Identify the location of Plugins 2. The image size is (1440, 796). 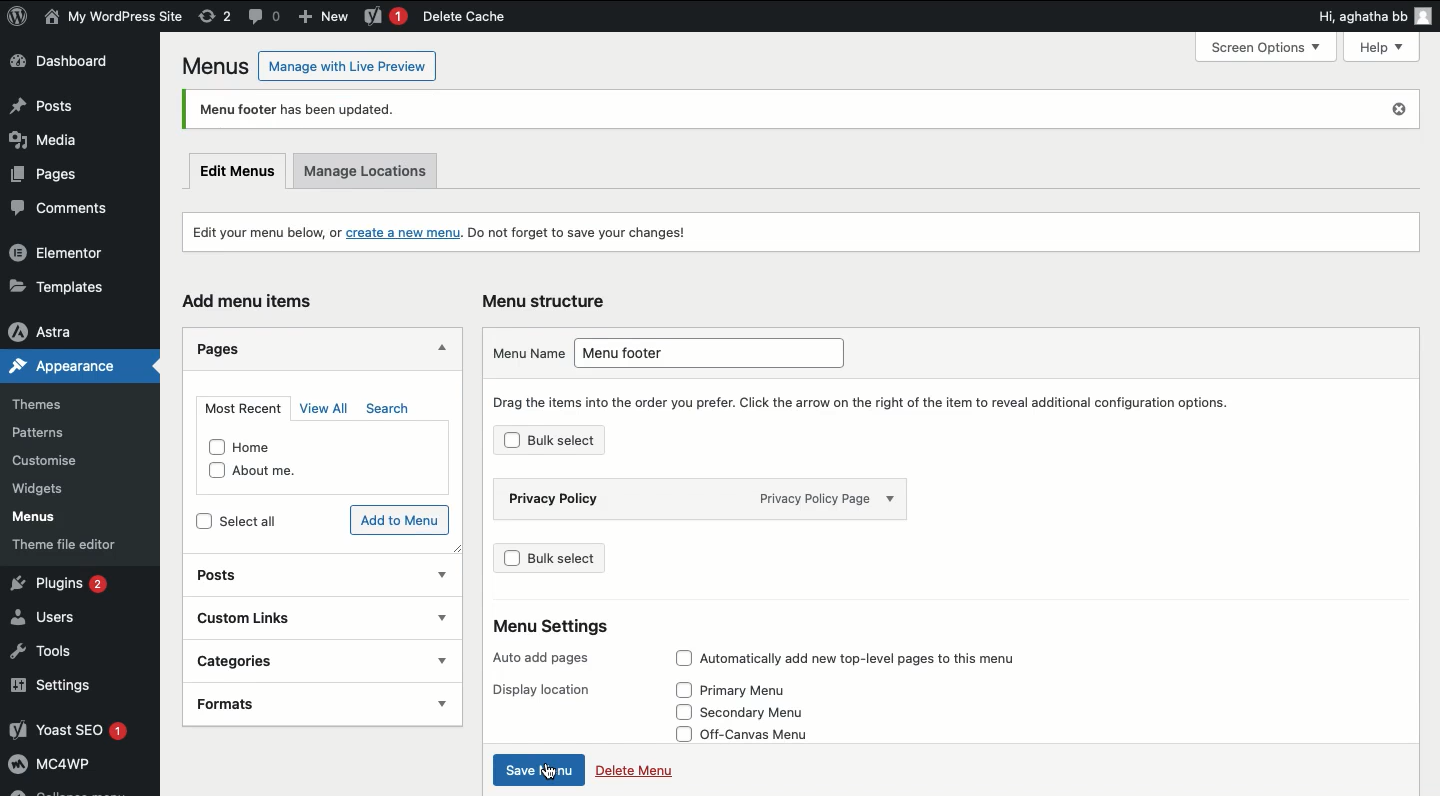
(75, 584).